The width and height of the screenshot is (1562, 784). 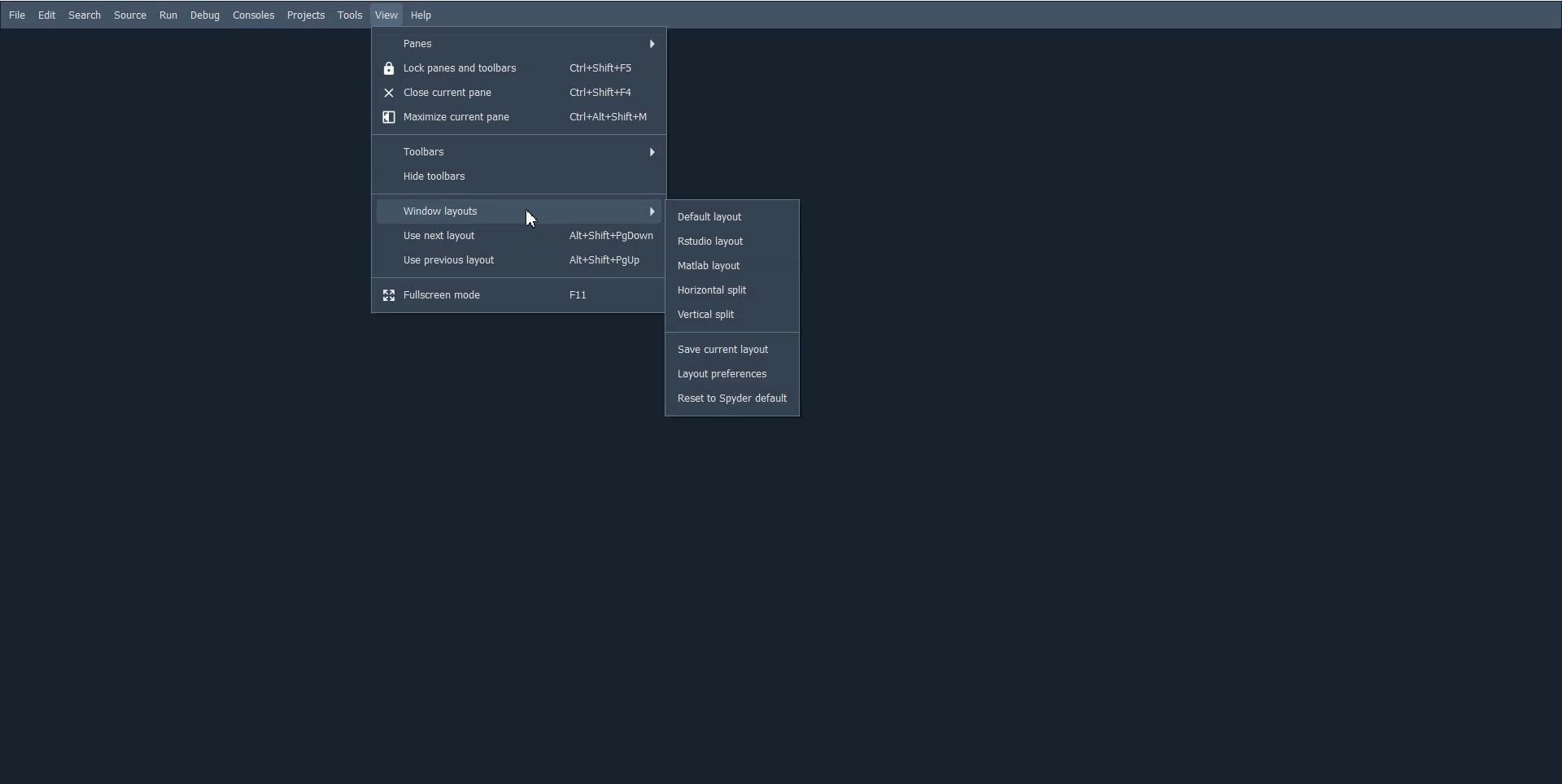 What do you see at coordinates (518, 259) in the screenshot?
I see `Use previous layout` at bounding box center [518, 259].